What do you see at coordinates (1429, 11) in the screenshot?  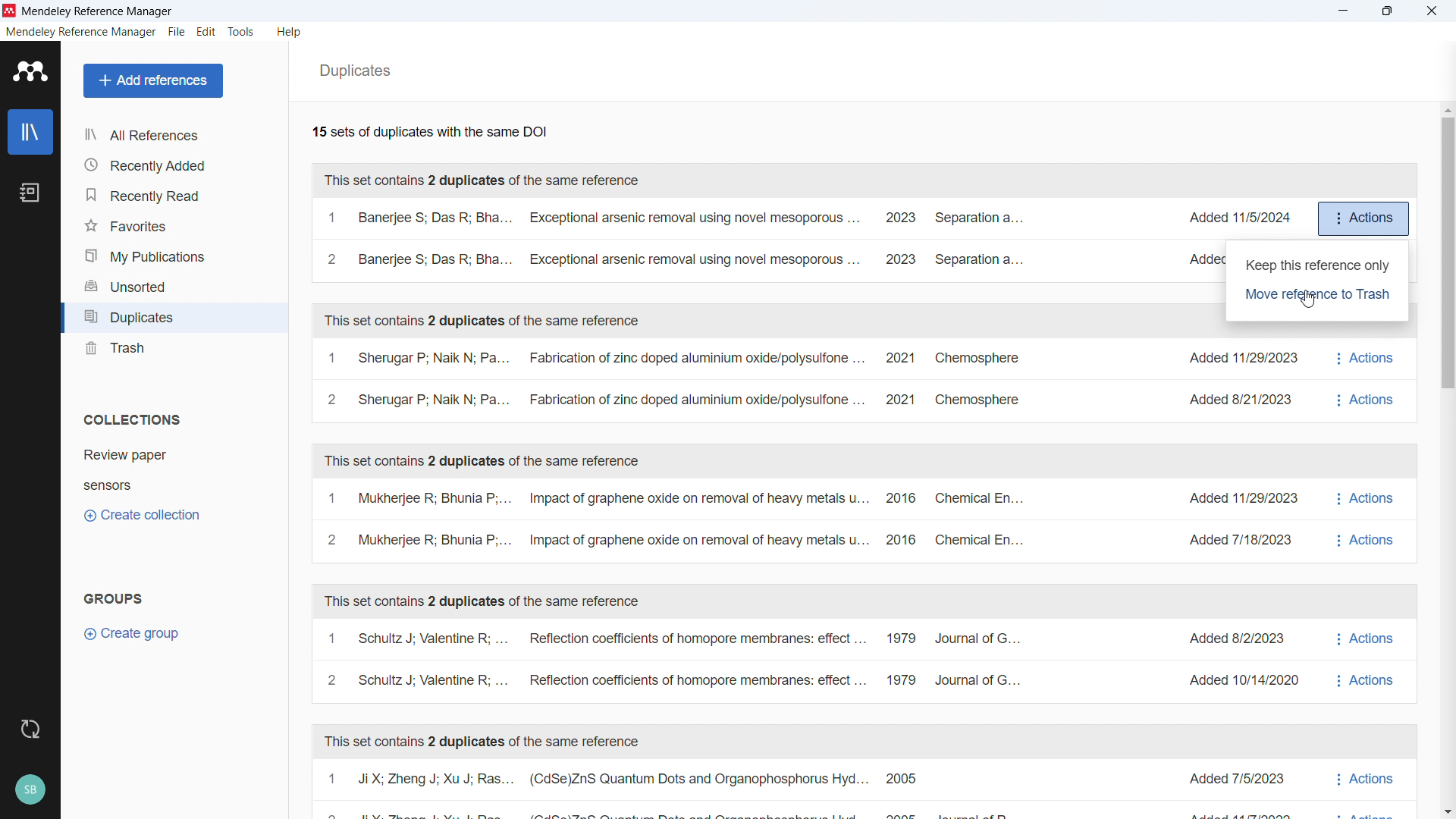 I see `close ` at bounding box center [1429, 11].